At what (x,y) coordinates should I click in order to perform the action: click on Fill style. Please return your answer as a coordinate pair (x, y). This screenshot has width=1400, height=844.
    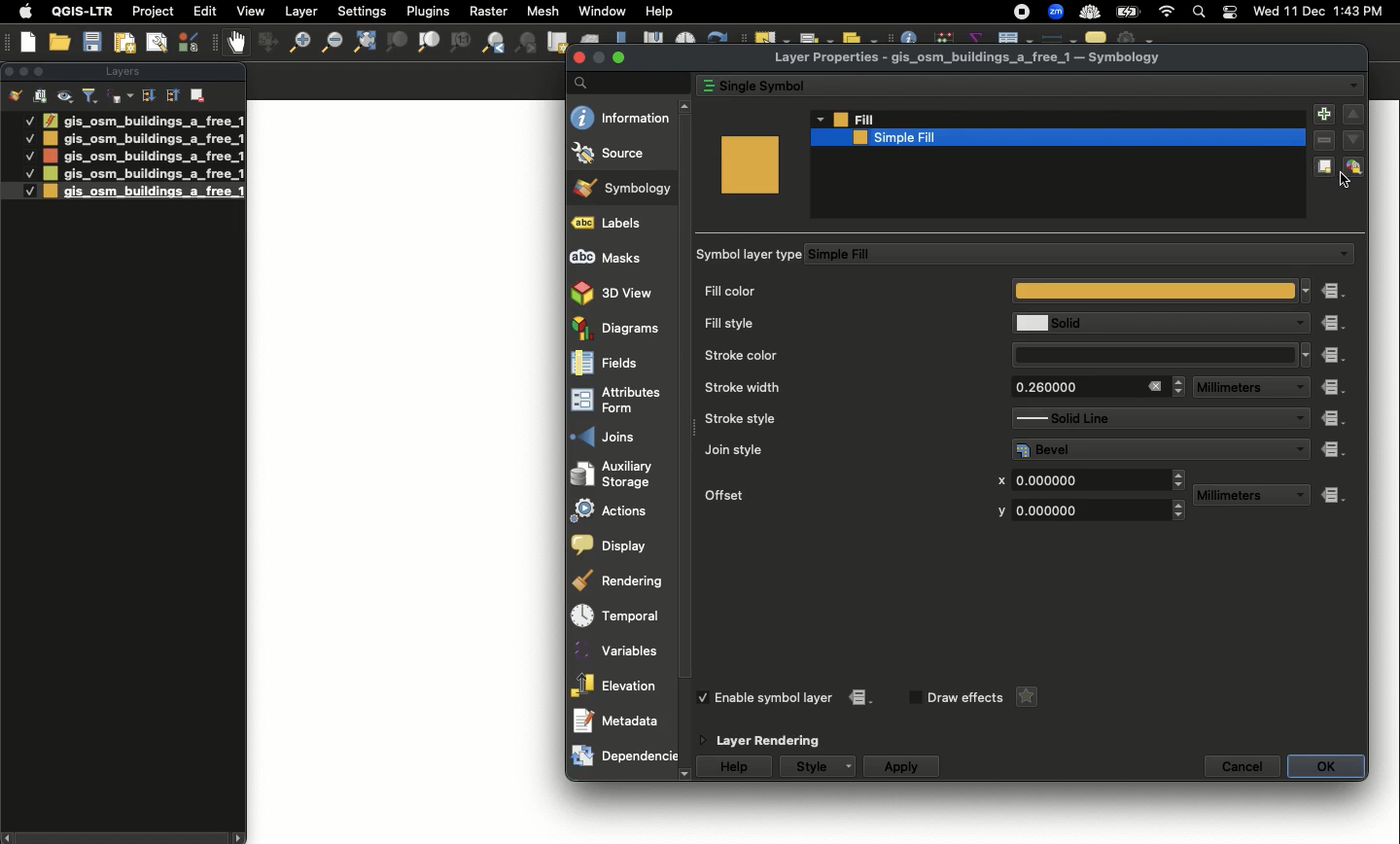
    Looking at the image, I should click on (840, 324).